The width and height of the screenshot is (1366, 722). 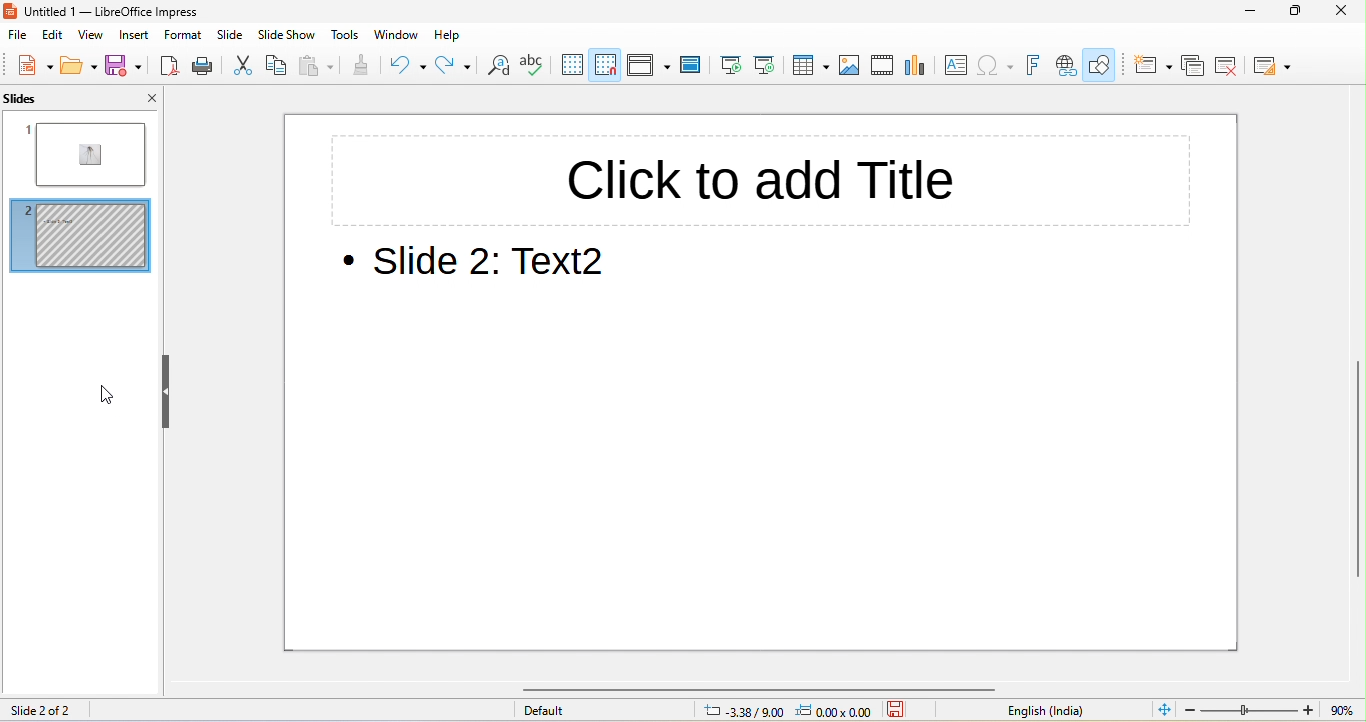 I want to click on help, so click(x=443, y=34).